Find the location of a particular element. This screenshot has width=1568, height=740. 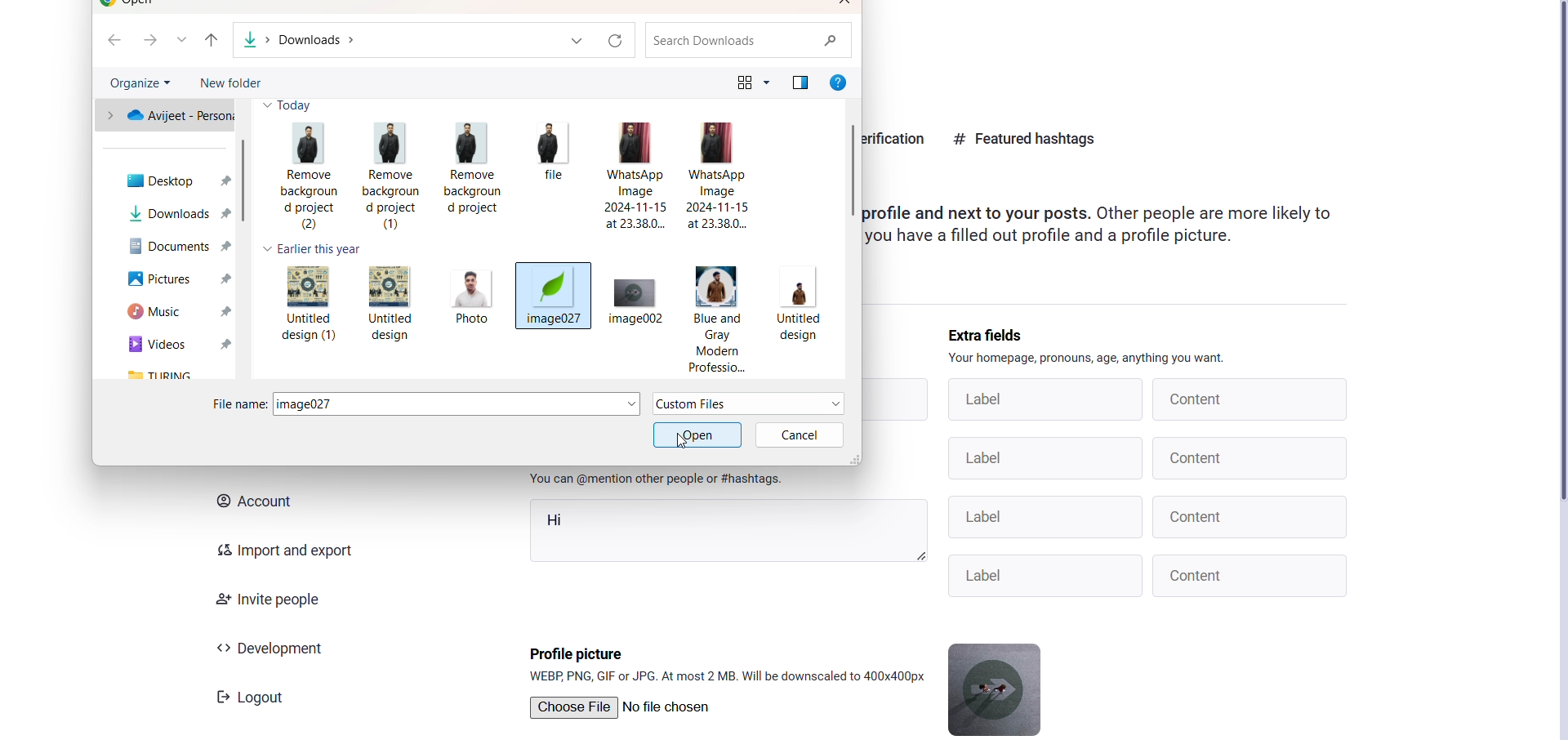

dropdown is located at coordinates (575, 41).